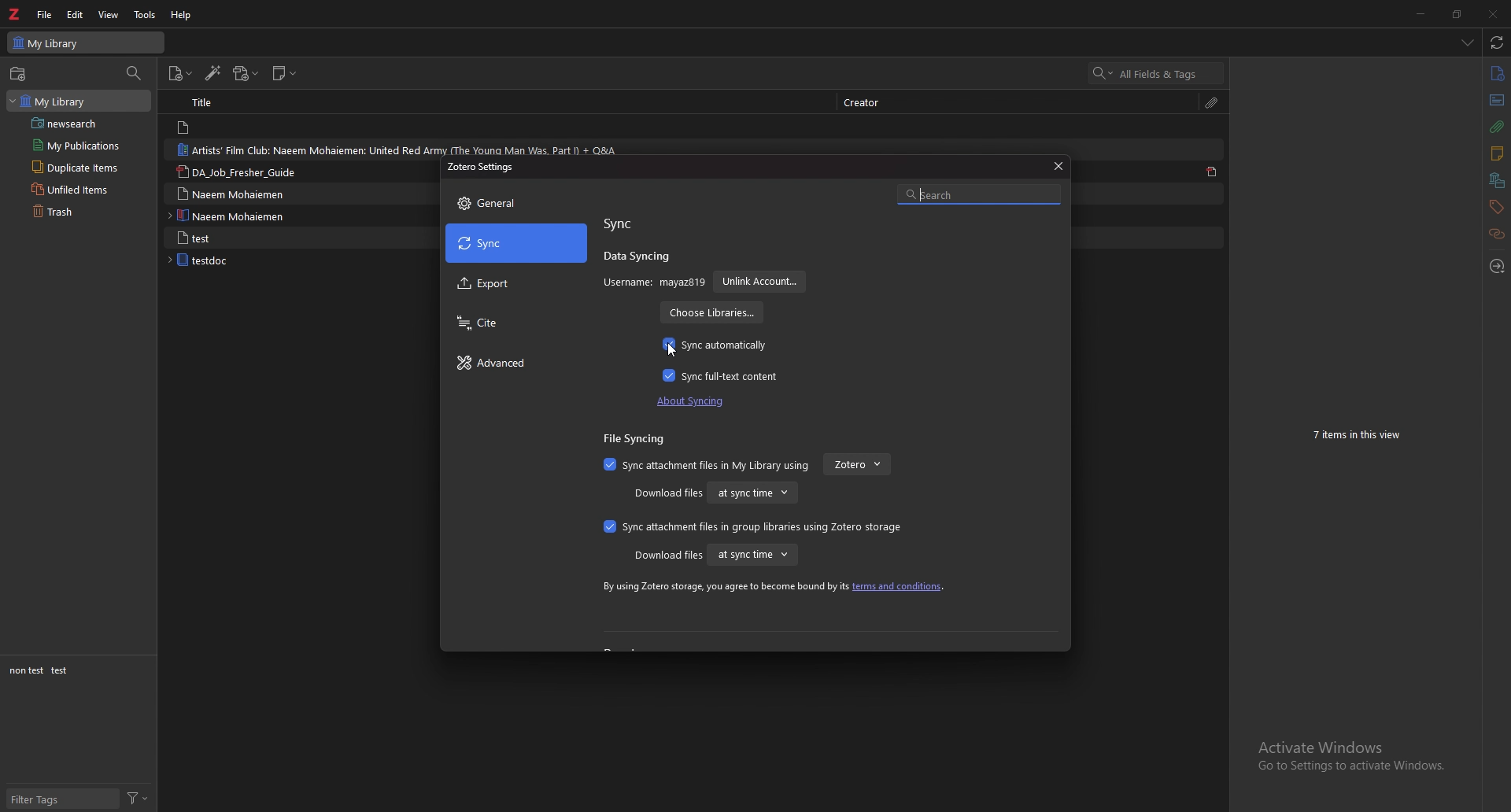  I want to click on new collection, so click(17, 73).